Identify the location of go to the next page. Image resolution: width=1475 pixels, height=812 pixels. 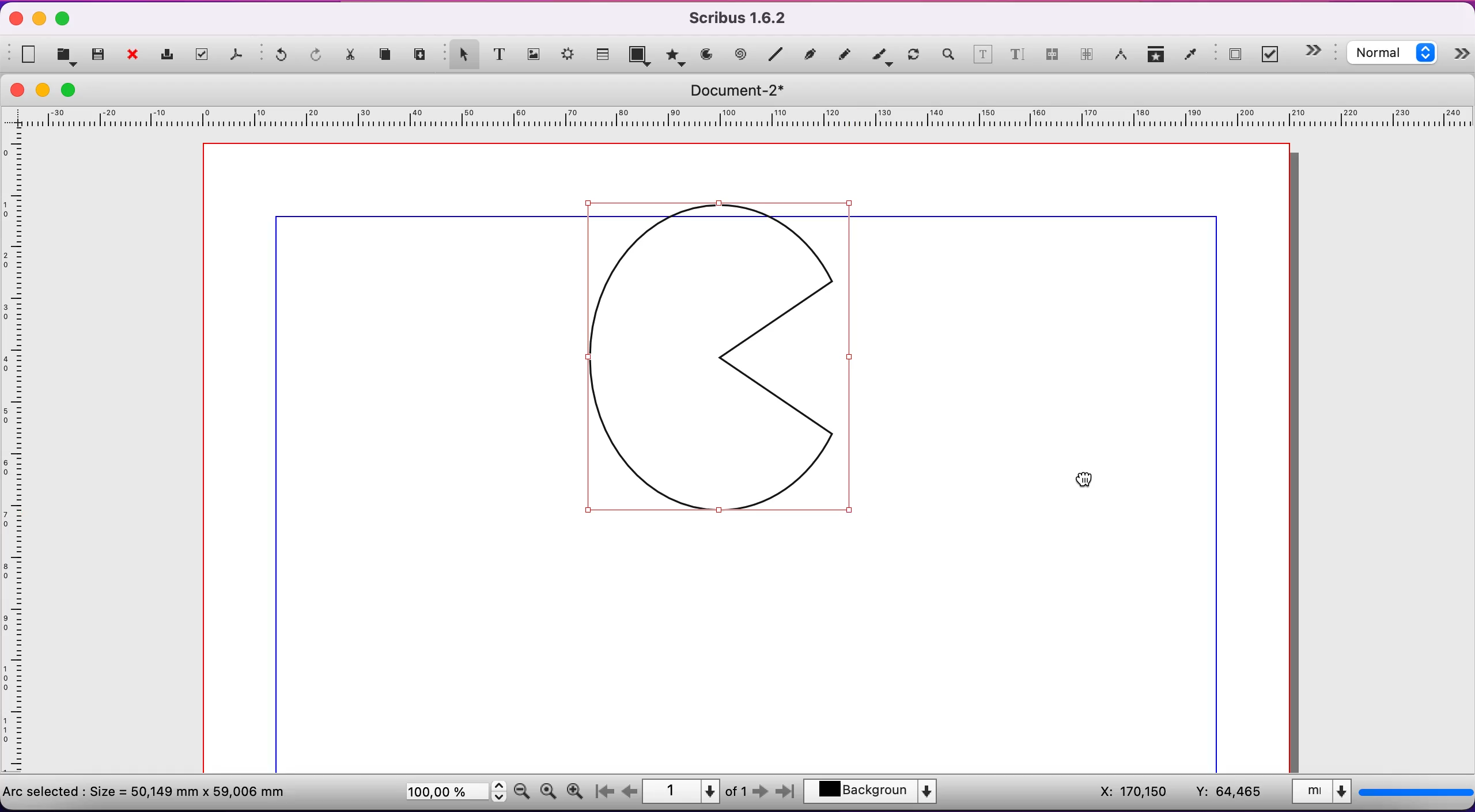
(762, 794).